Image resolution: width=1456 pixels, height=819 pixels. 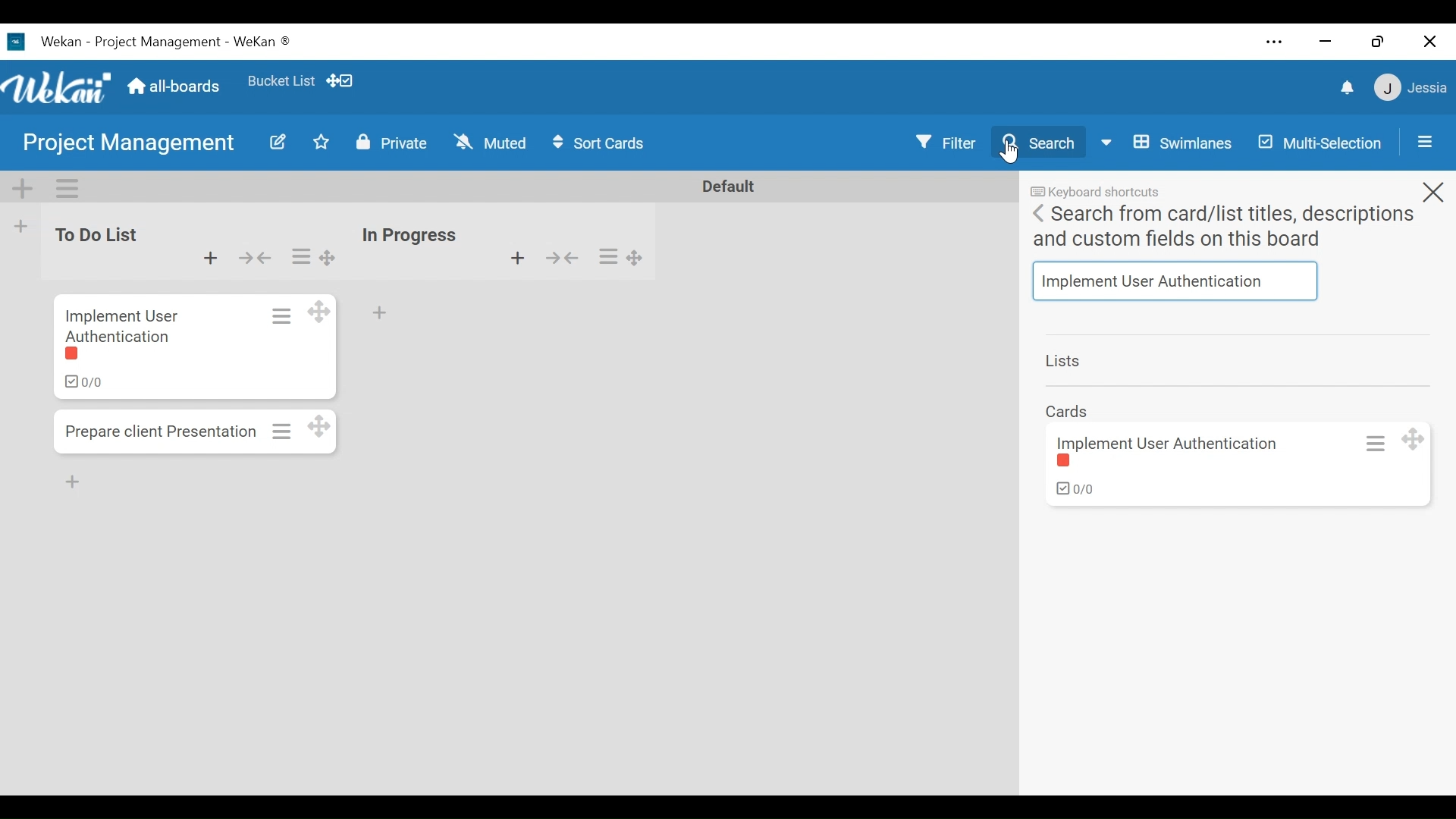 I want to click on Card, so click(x=1068, y=409).